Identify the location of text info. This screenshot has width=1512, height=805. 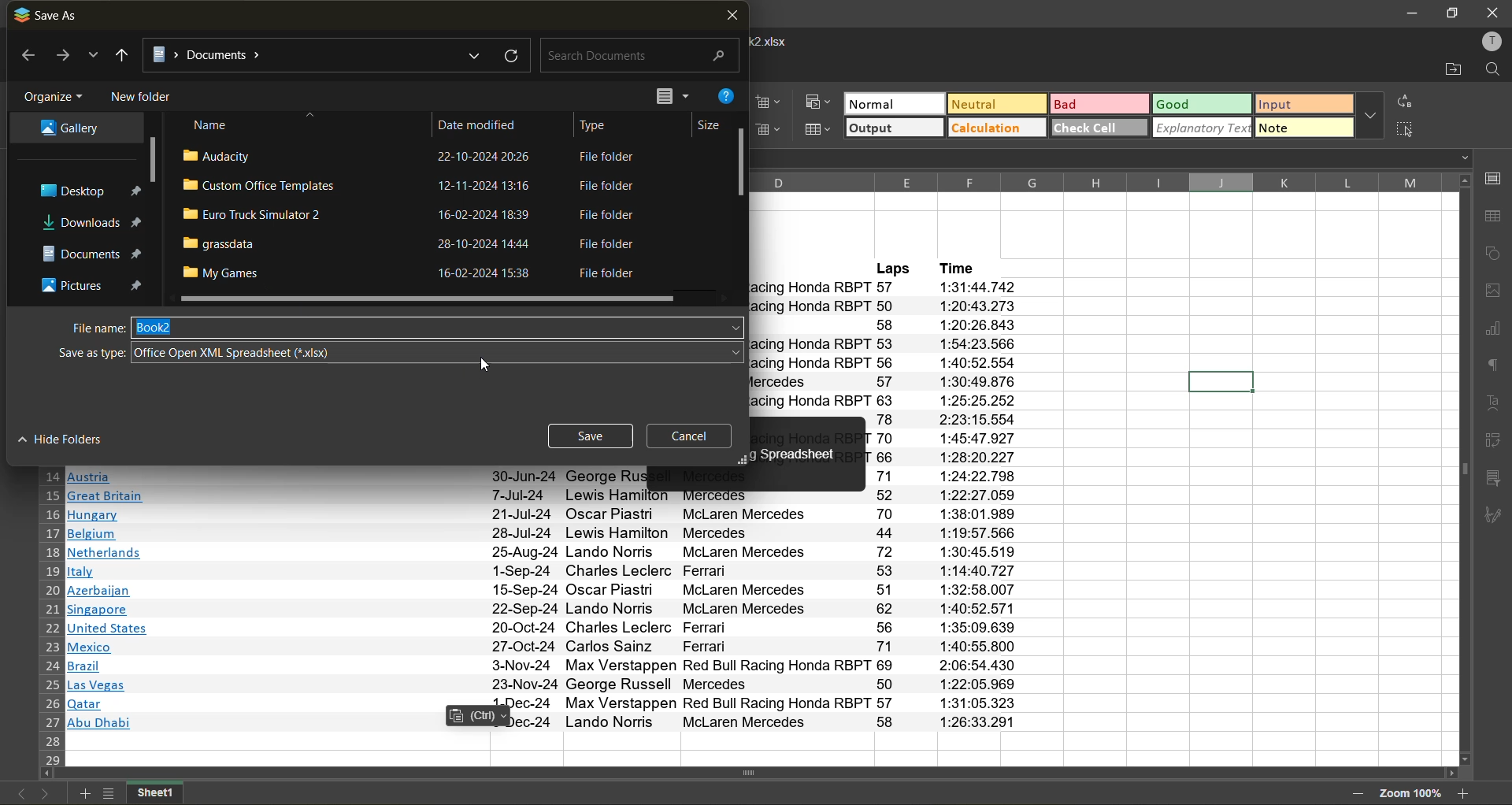
(549, 629).